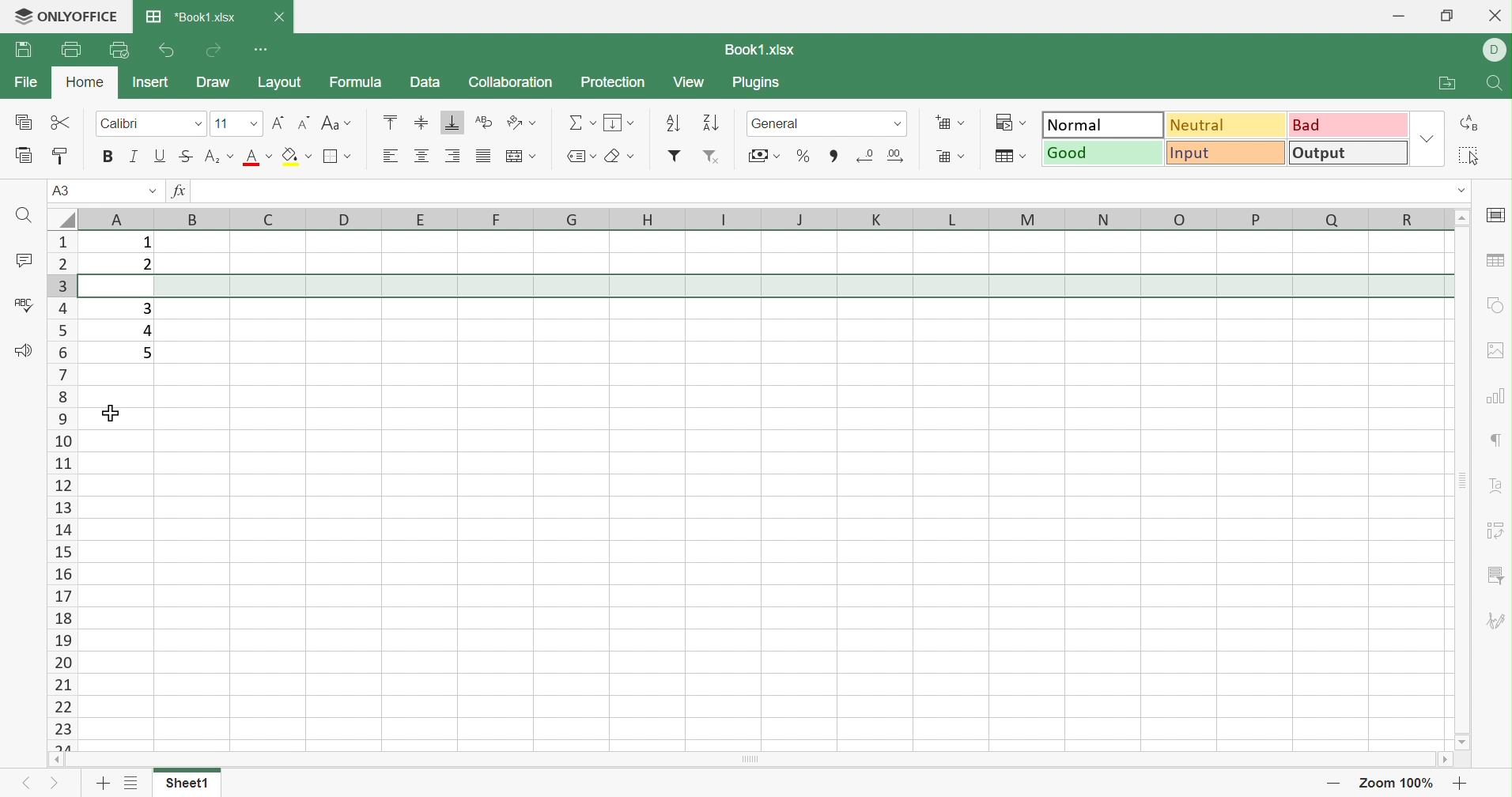 The width and height of the screenshot is (1512, 797). I want to click on Strikethrough, so click(184, 155).